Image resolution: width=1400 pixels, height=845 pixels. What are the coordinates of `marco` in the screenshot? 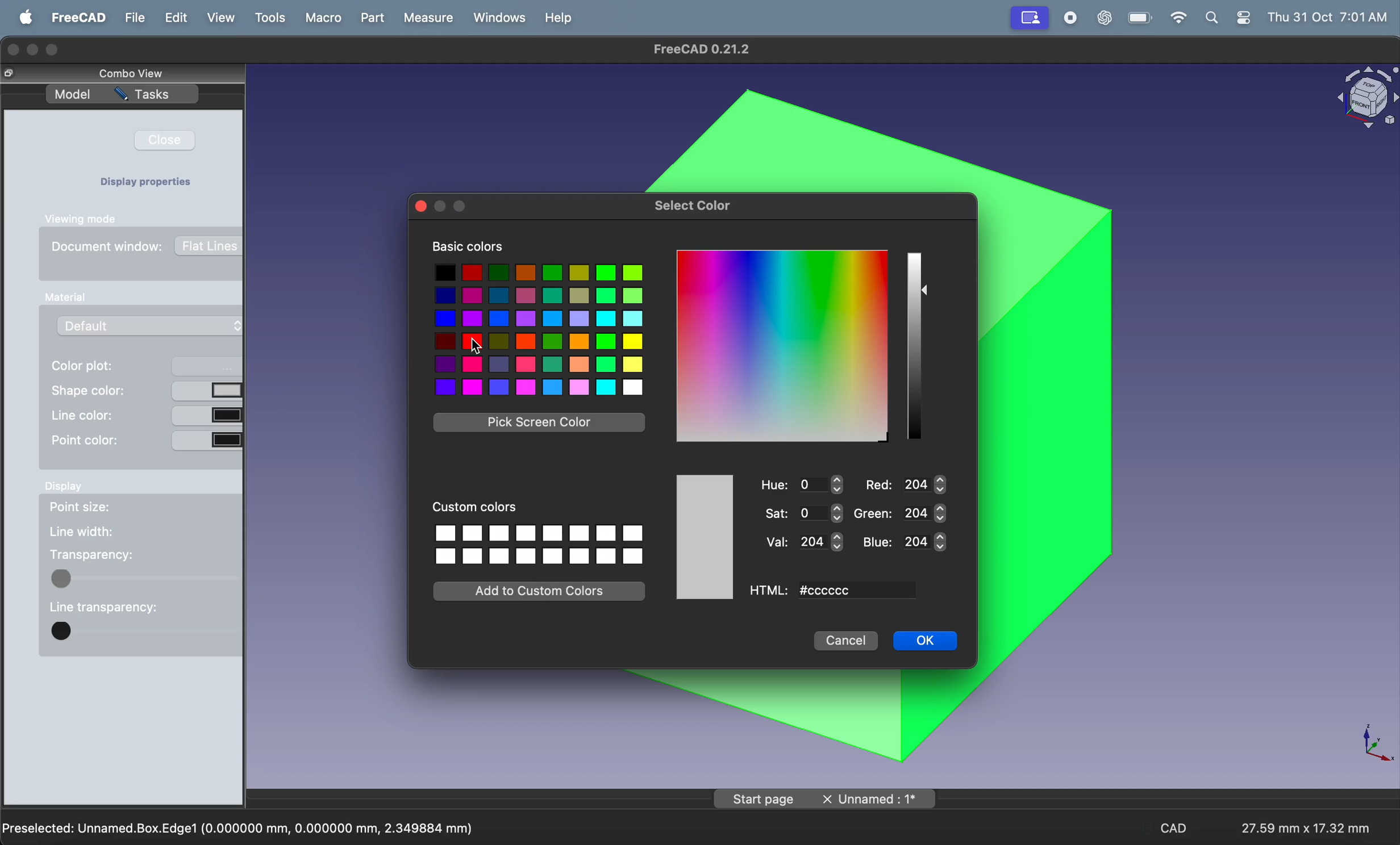 It's located at (322, 18).